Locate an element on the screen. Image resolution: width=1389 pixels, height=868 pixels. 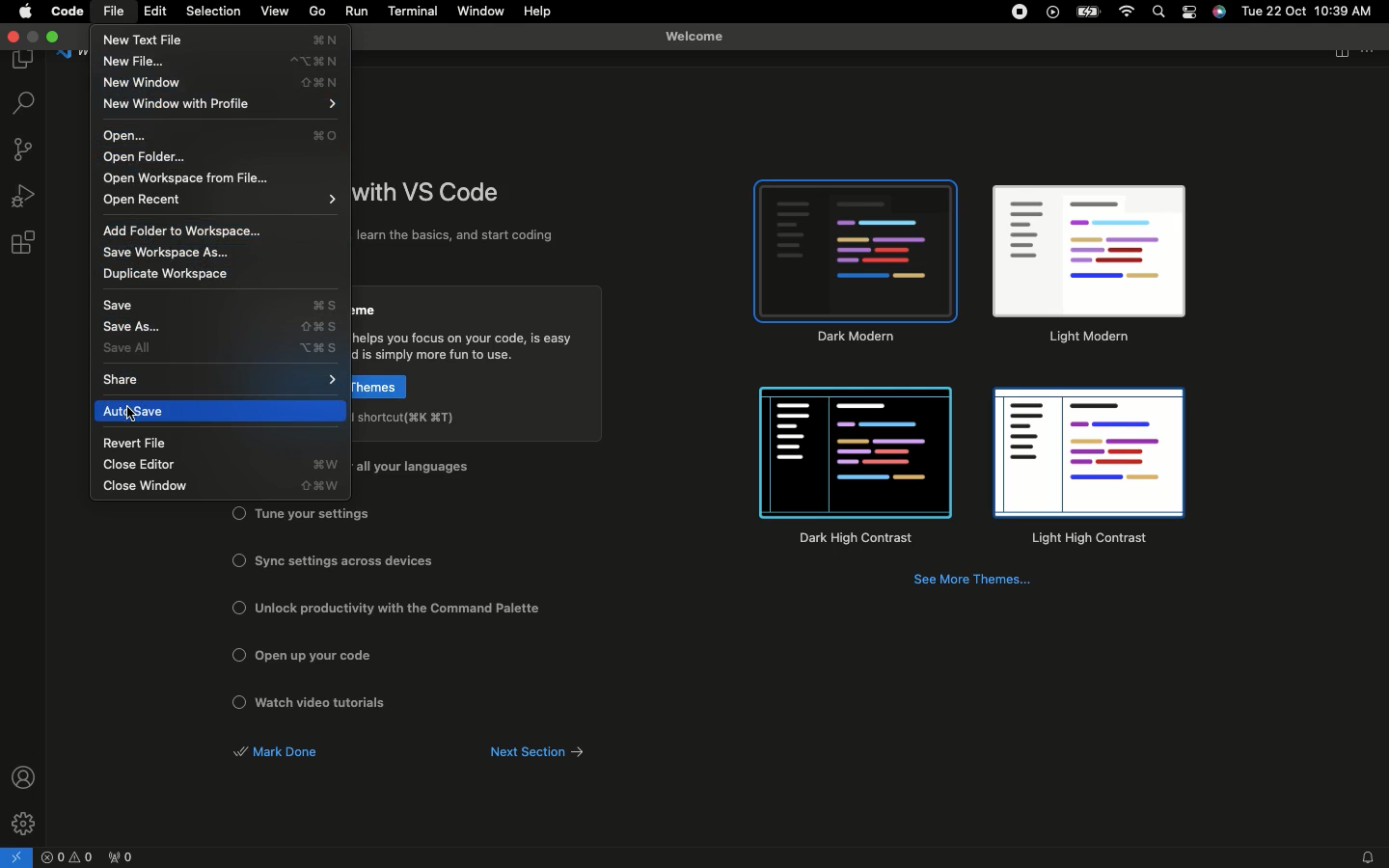
Search is located at coordinates (23, 104).